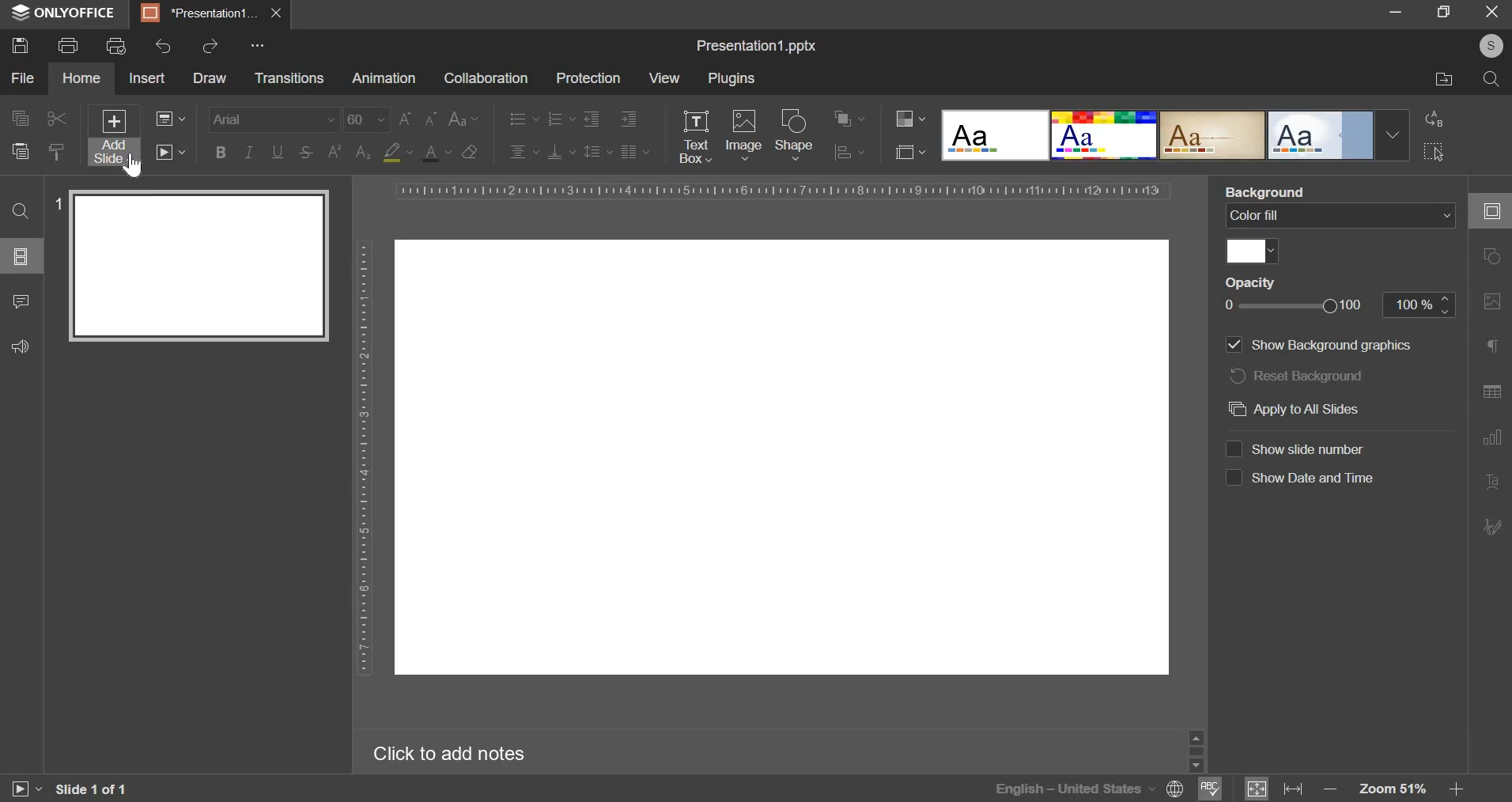 The height and width of the screenshot is (802, 1512). What do you see at coordinates (289, 79) in the screenshot?
I see `transitions` at bounding box center [289, 79].